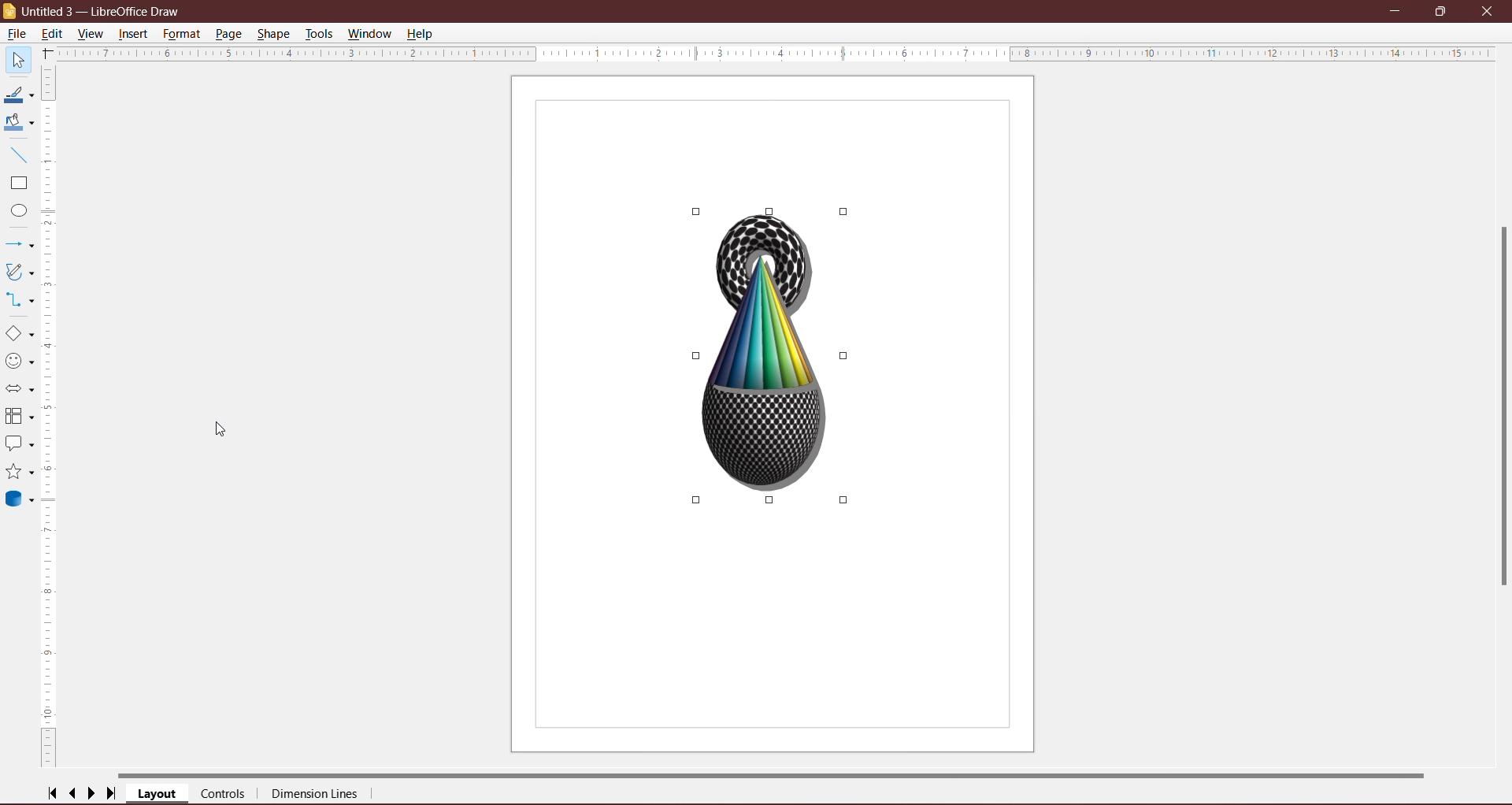 The image size is (1512, 805). I want to click on Help, so click(422, 35).